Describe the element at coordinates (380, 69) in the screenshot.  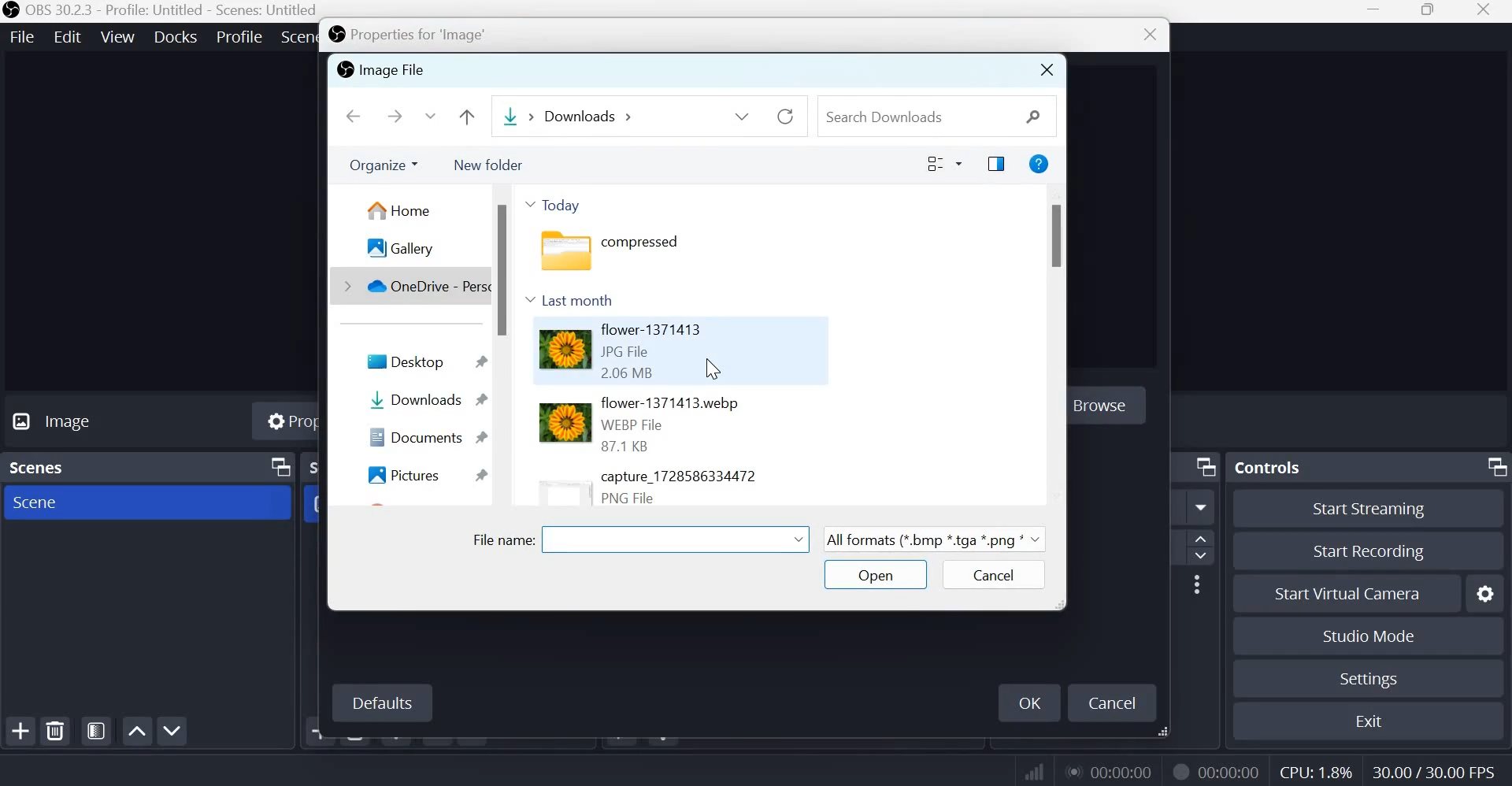
I see `Image file` at that location.